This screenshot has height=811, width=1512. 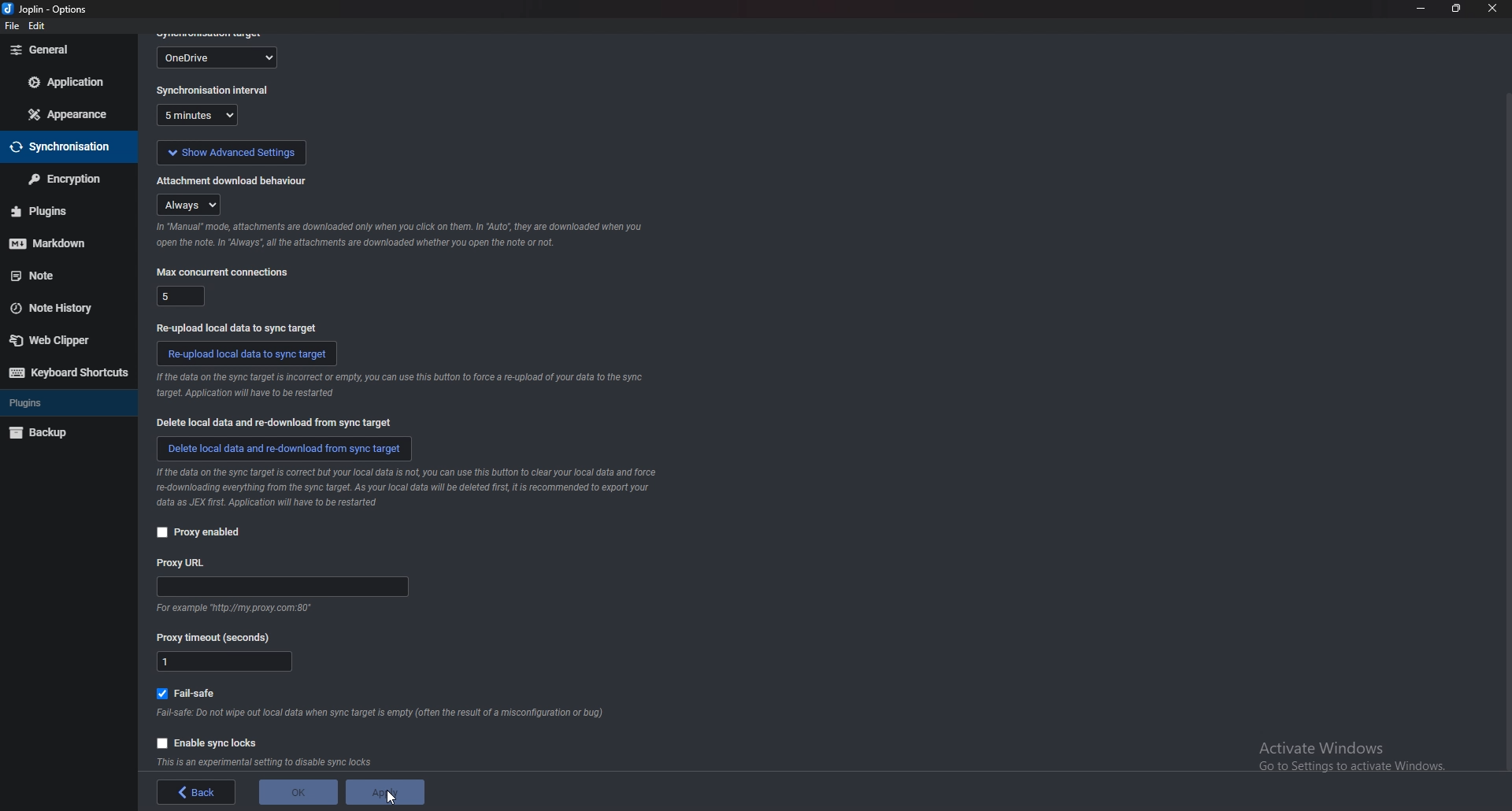 What do you see at coordinates (202, 117) in the screenshot?
I see `sync interval` at bounding box center [202, 117].